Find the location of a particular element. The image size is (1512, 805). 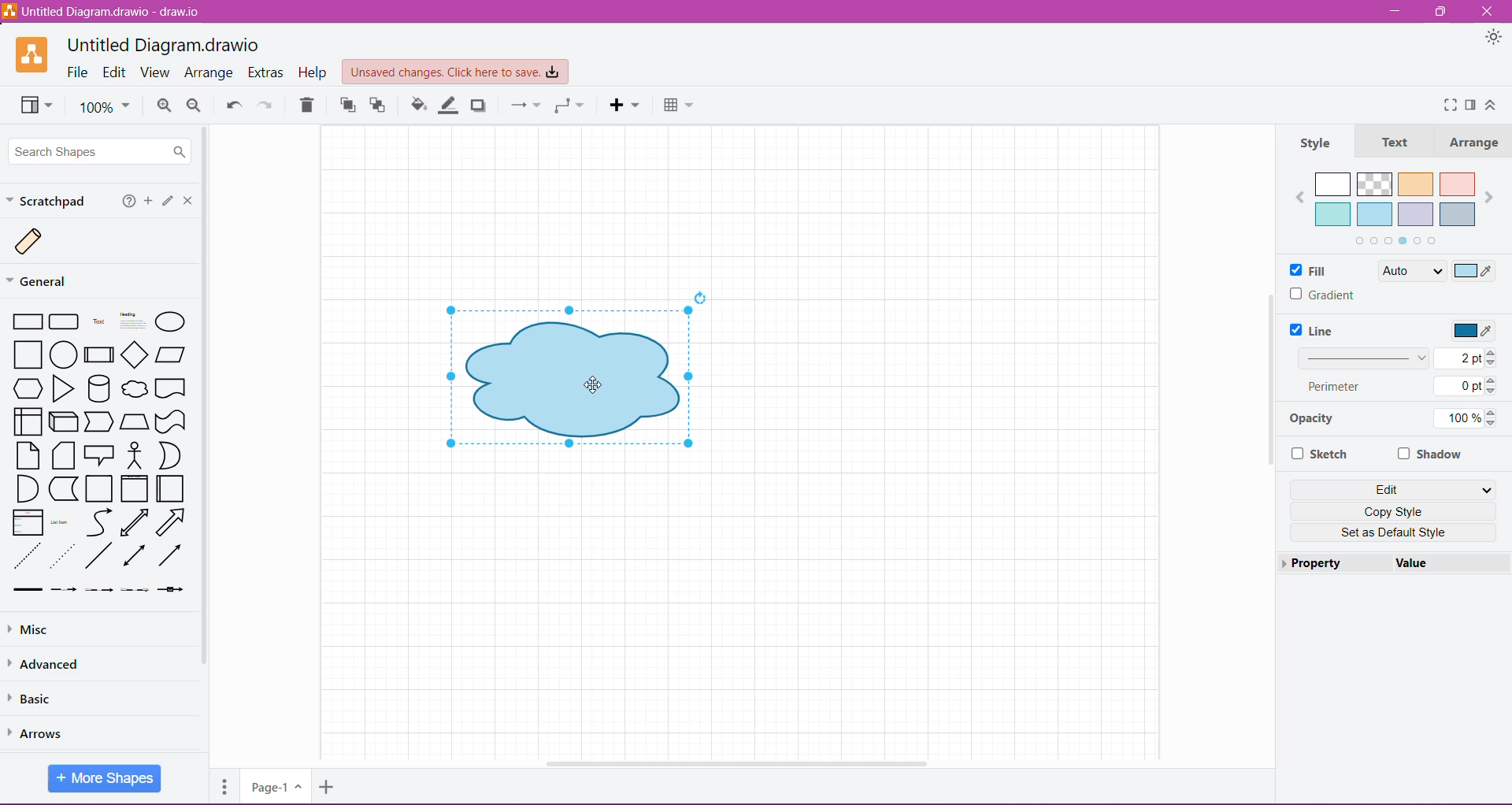

View is located at coordinates (39, 106).